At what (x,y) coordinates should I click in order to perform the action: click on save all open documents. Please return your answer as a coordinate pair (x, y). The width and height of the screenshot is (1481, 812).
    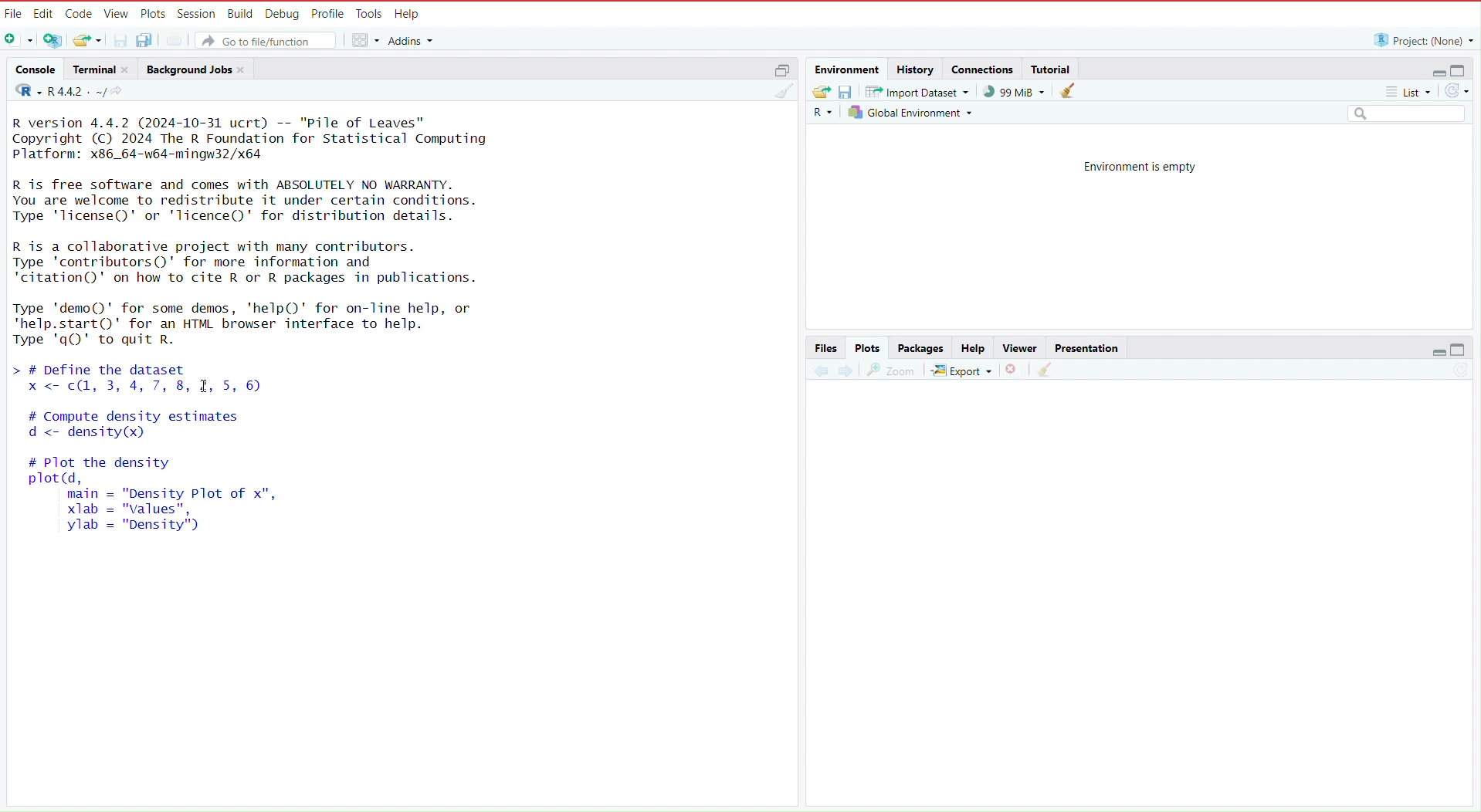
    Looking at the image, I should click on (147, 41).